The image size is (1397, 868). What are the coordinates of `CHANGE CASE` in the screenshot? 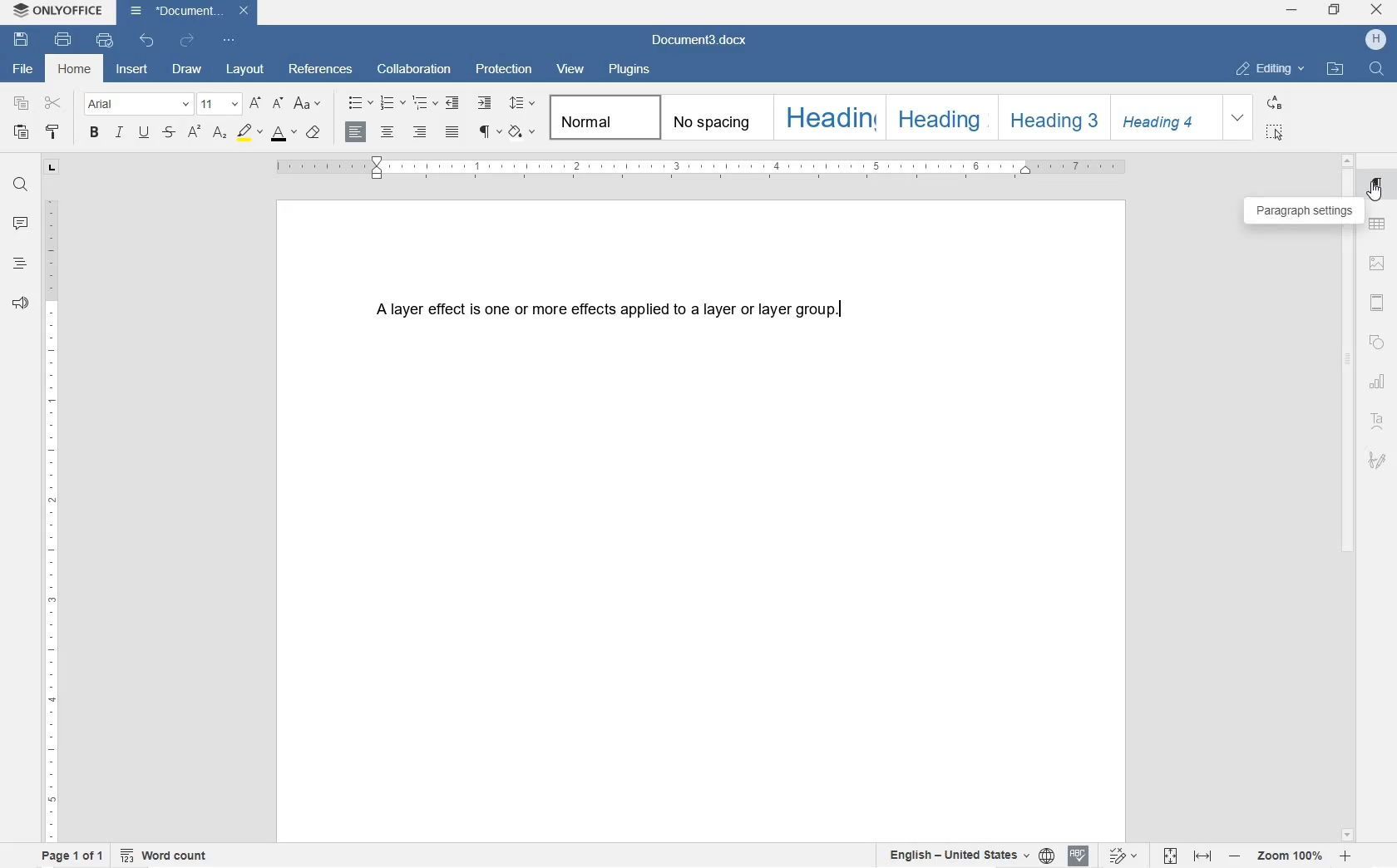 It's located at (309, 104).